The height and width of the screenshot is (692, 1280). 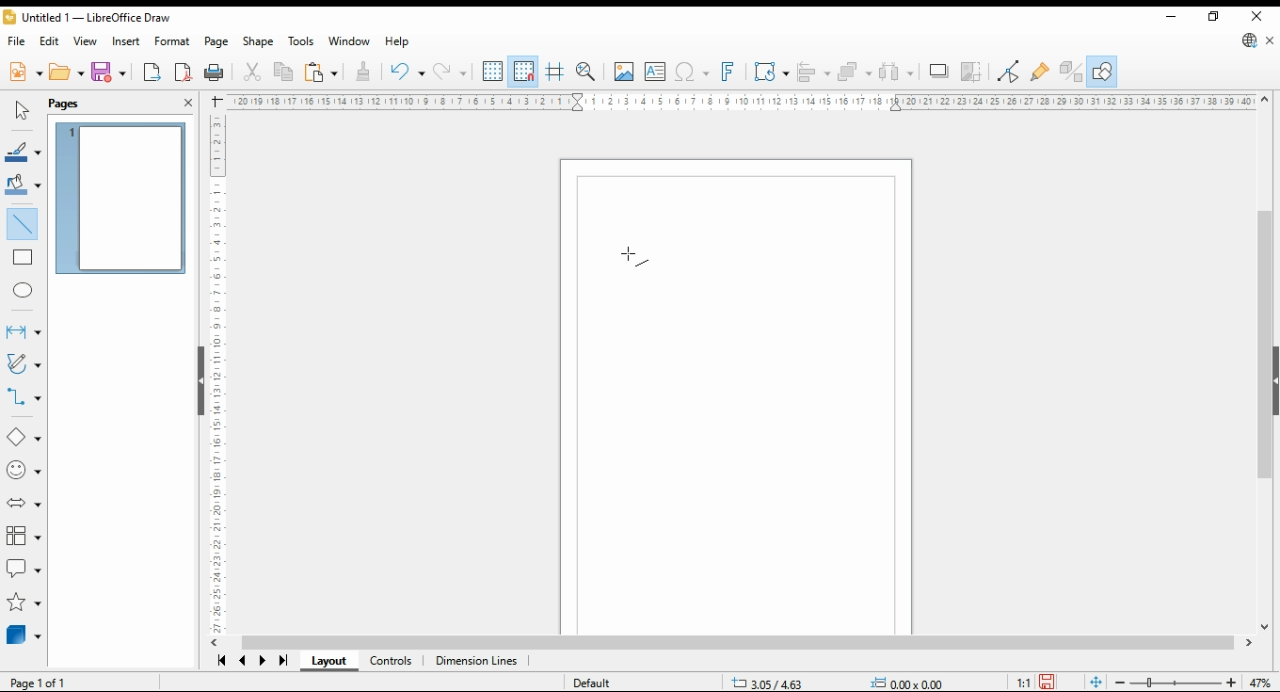 I want to click on lines and arrows, so click(x=23, y=331).